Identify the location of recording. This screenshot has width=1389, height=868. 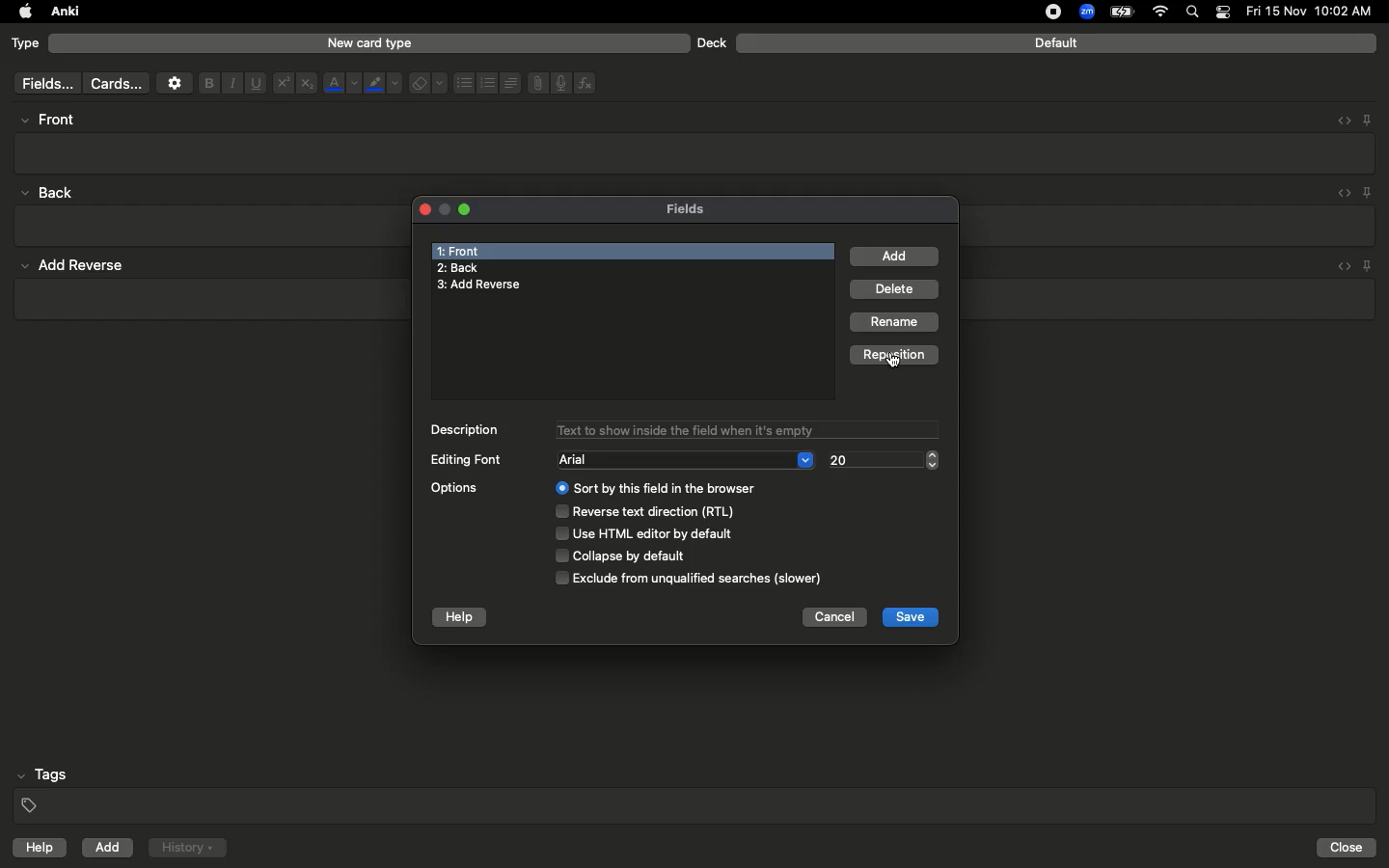
(1042, 12).